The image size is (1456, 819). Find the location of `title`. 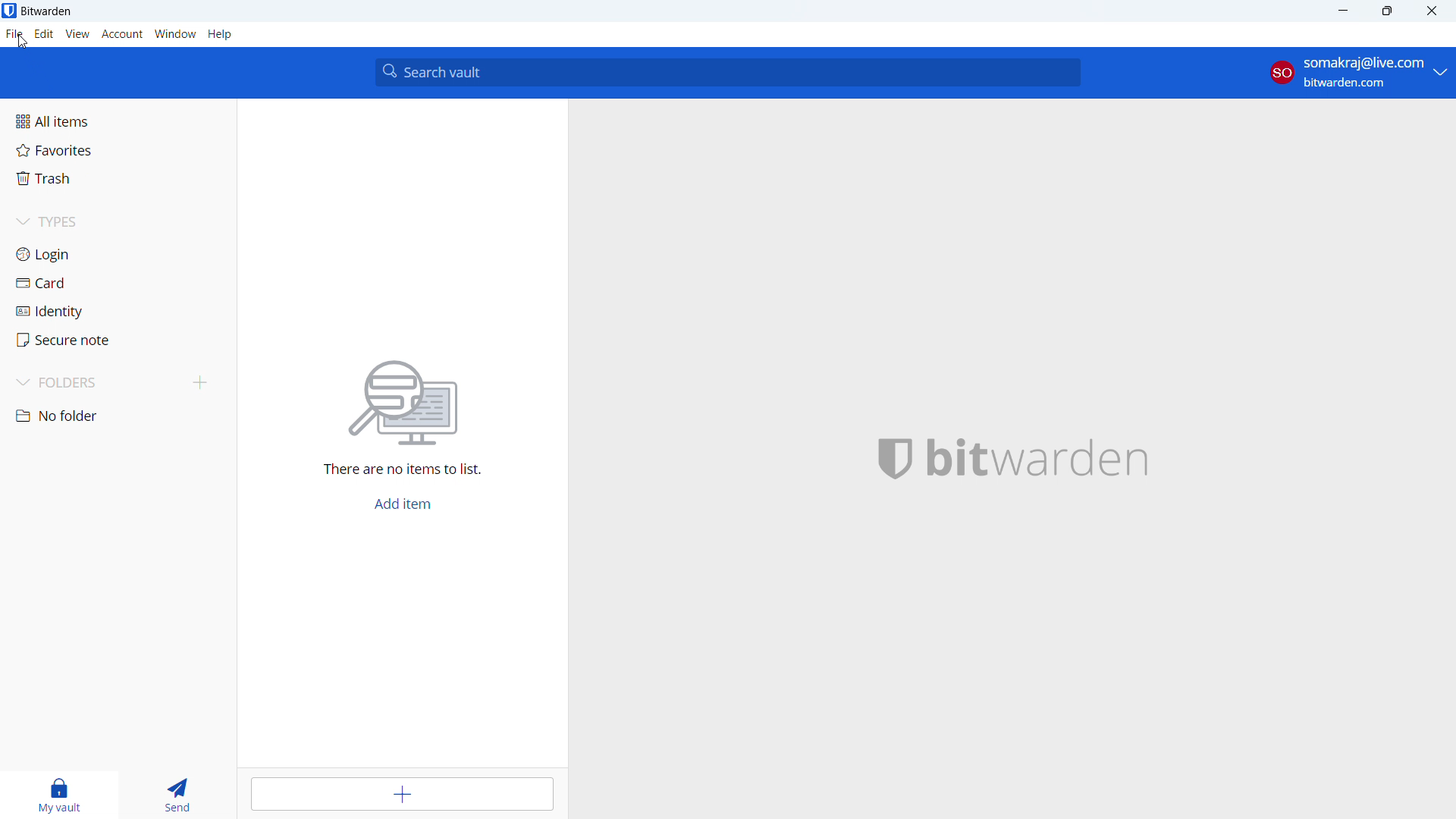

title is located at coordinates (47, 11).